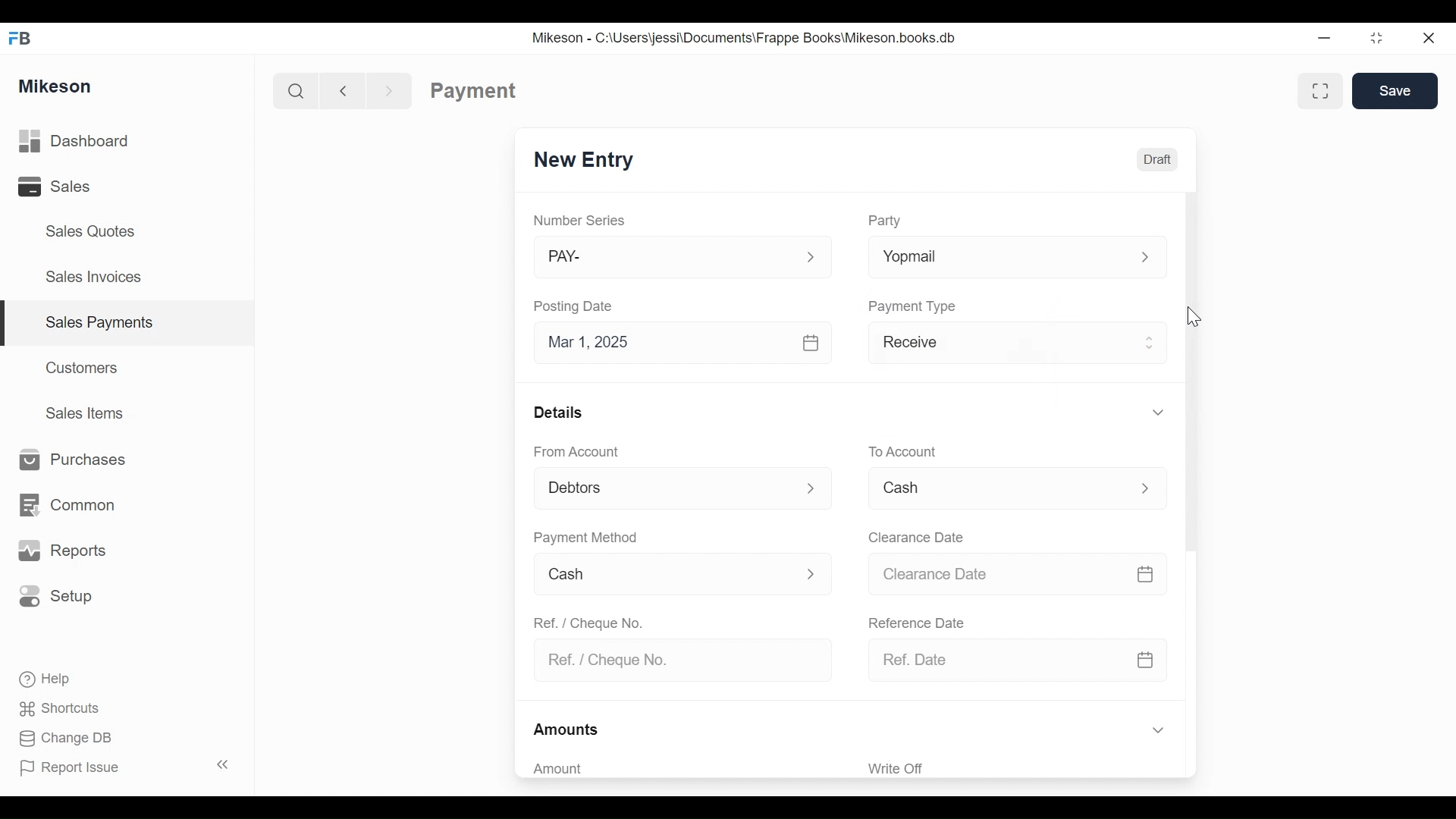 This screenshot has height=819, width=1456. I want to click on Posting Date, so click(582, 307).